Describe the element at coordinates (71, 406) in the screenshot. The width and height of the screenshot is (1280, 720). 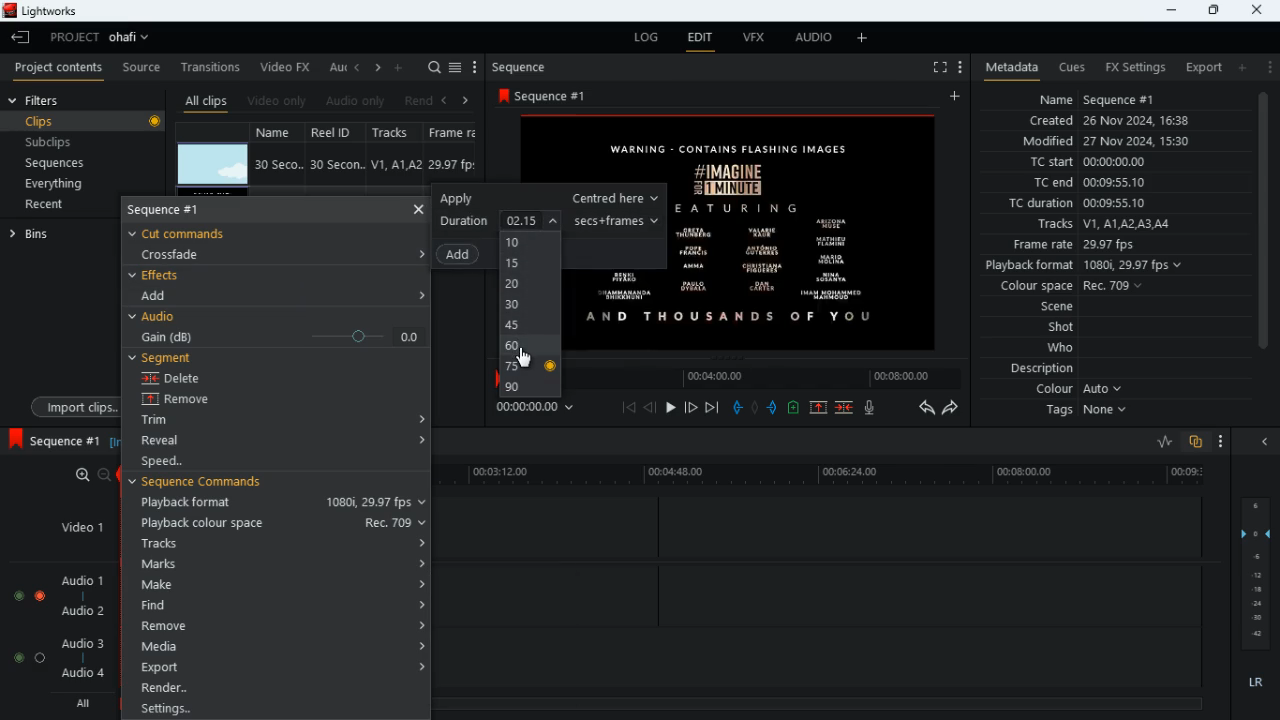
I see `import clips` at that location.